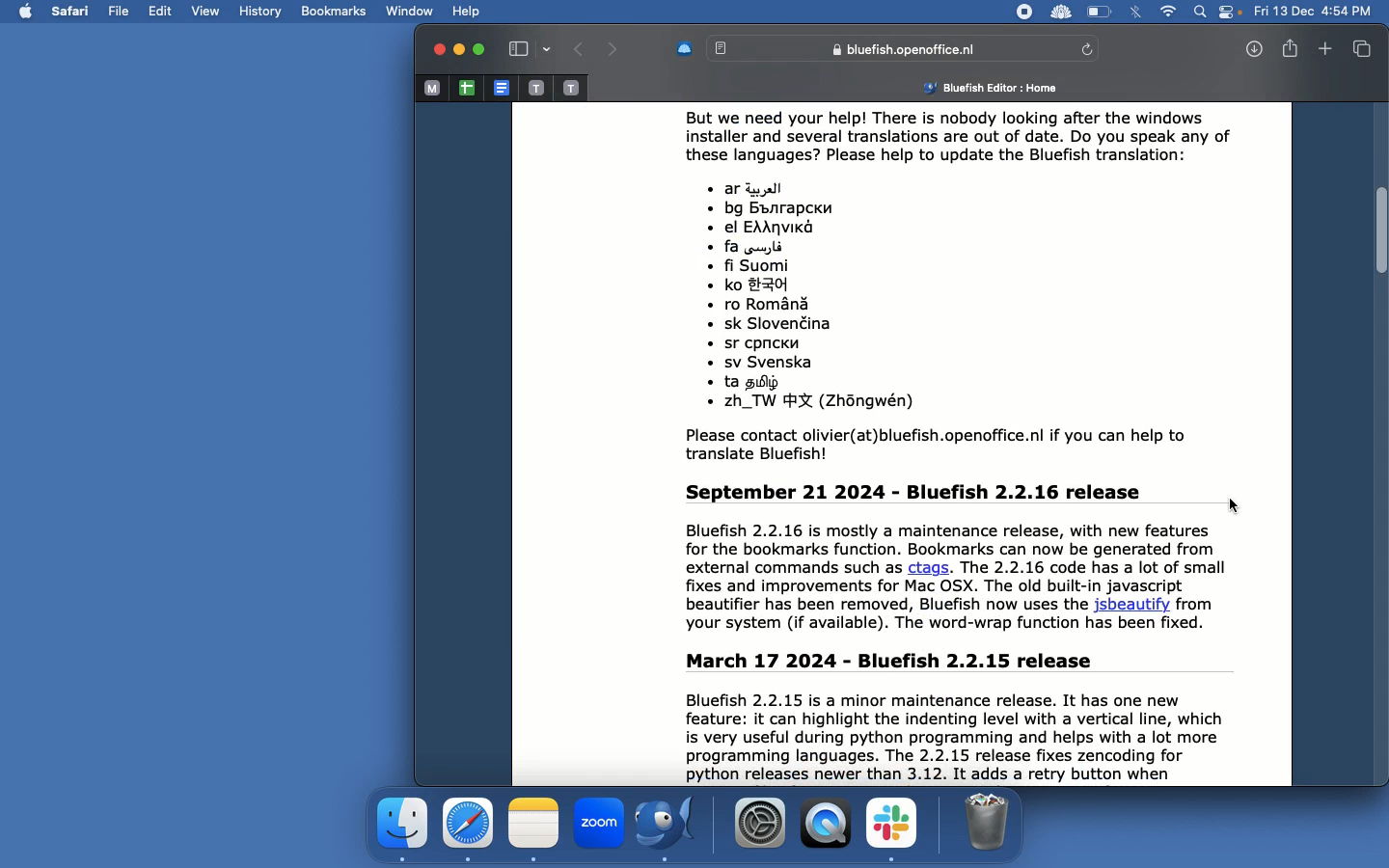 Image resolution: width=1389 pixels, height=868 pixels. I want to click on Add, so click(1326, 50).